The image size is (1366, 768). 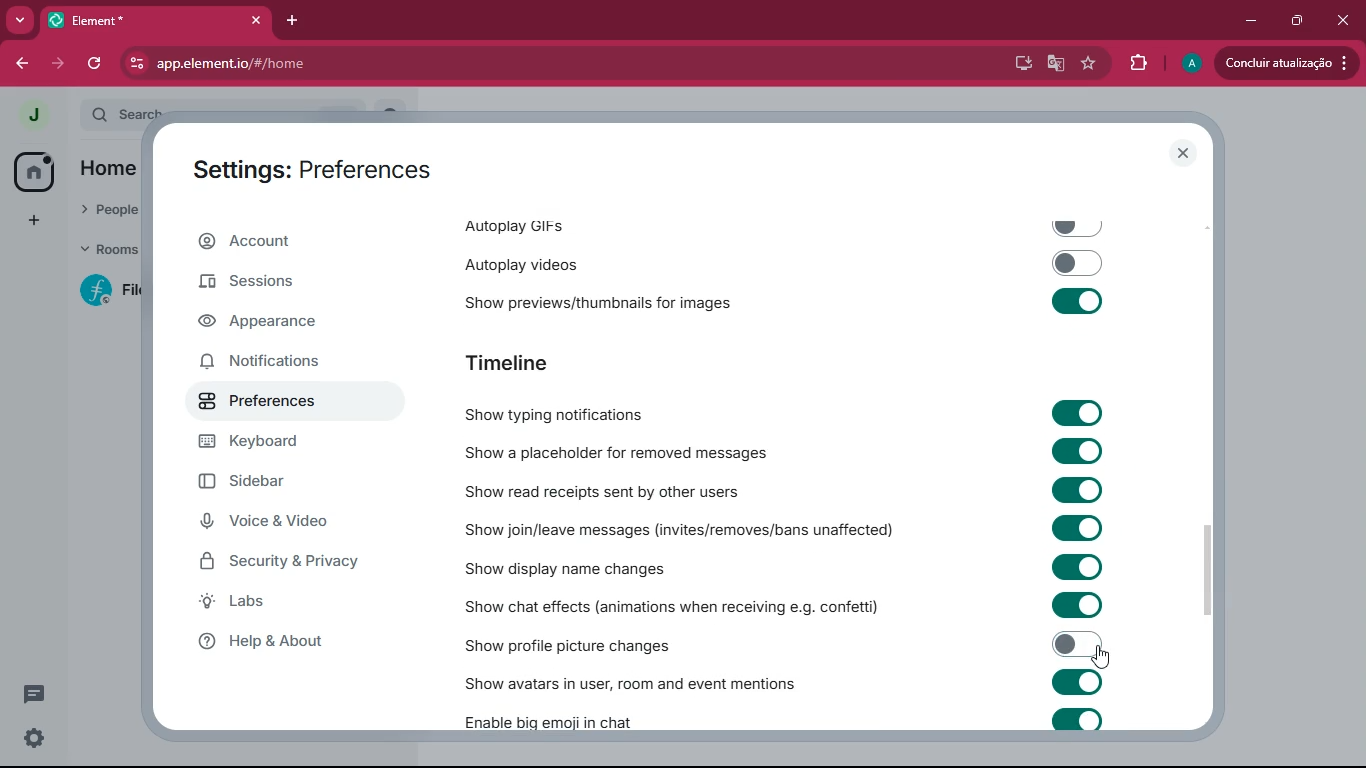 What do you see at coordinates (158, 21) in the screenshot?
I see `element tab` at bounding box center [158, 21].